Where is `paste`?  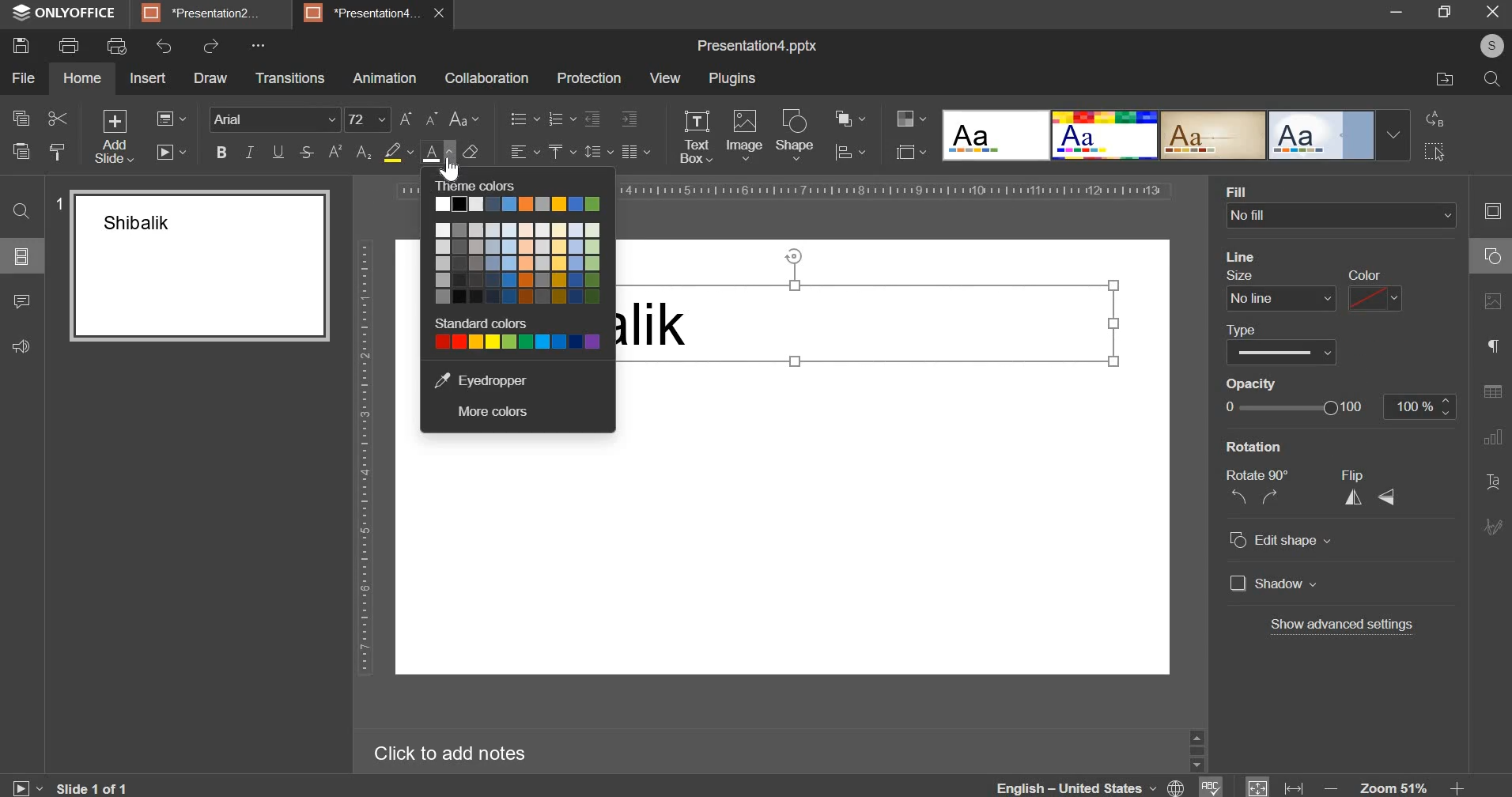 paste is located at coordinates (20, 150).